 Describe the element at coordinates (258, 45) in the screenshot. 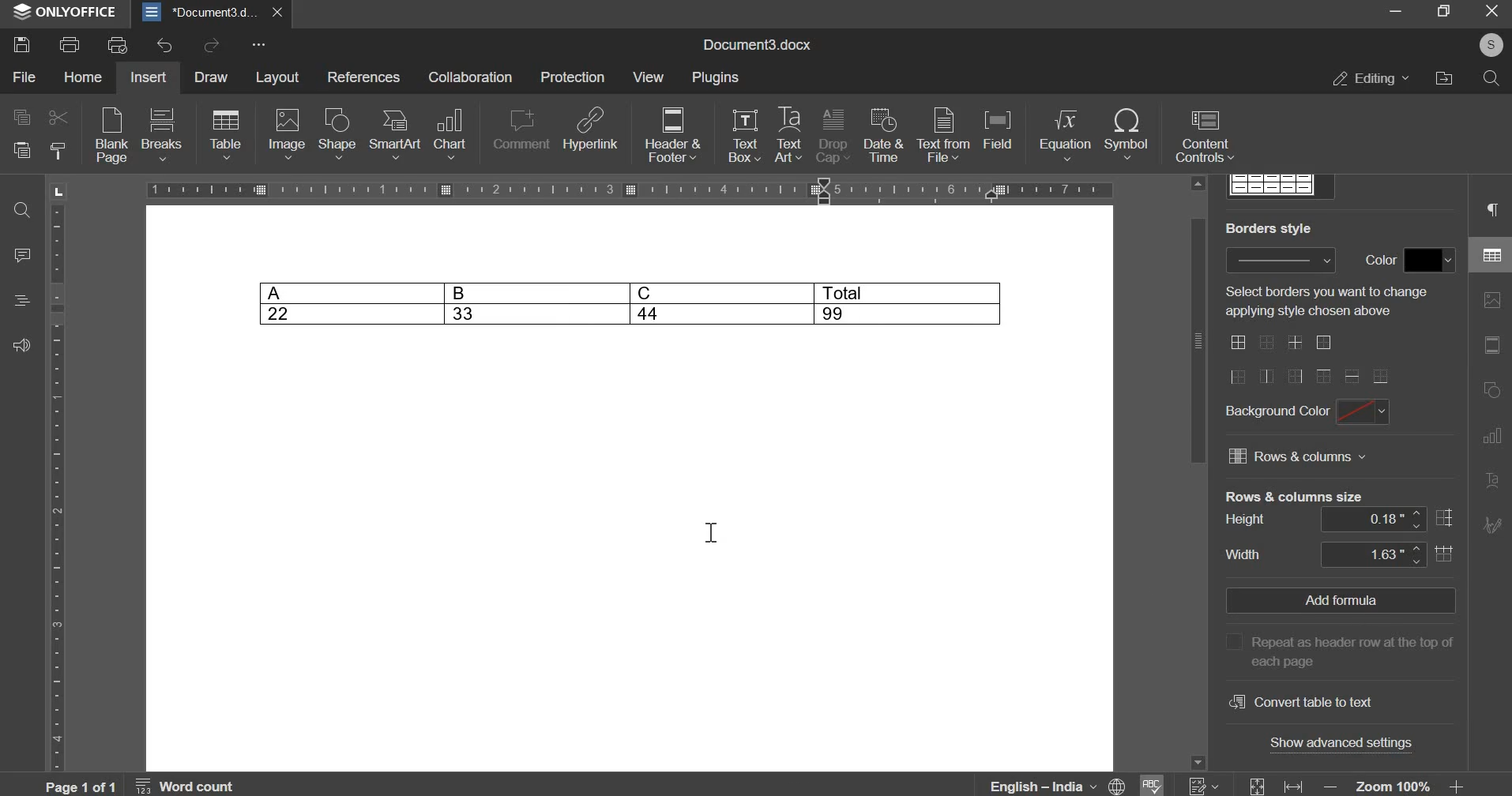

I see `customize quick access` at that location.